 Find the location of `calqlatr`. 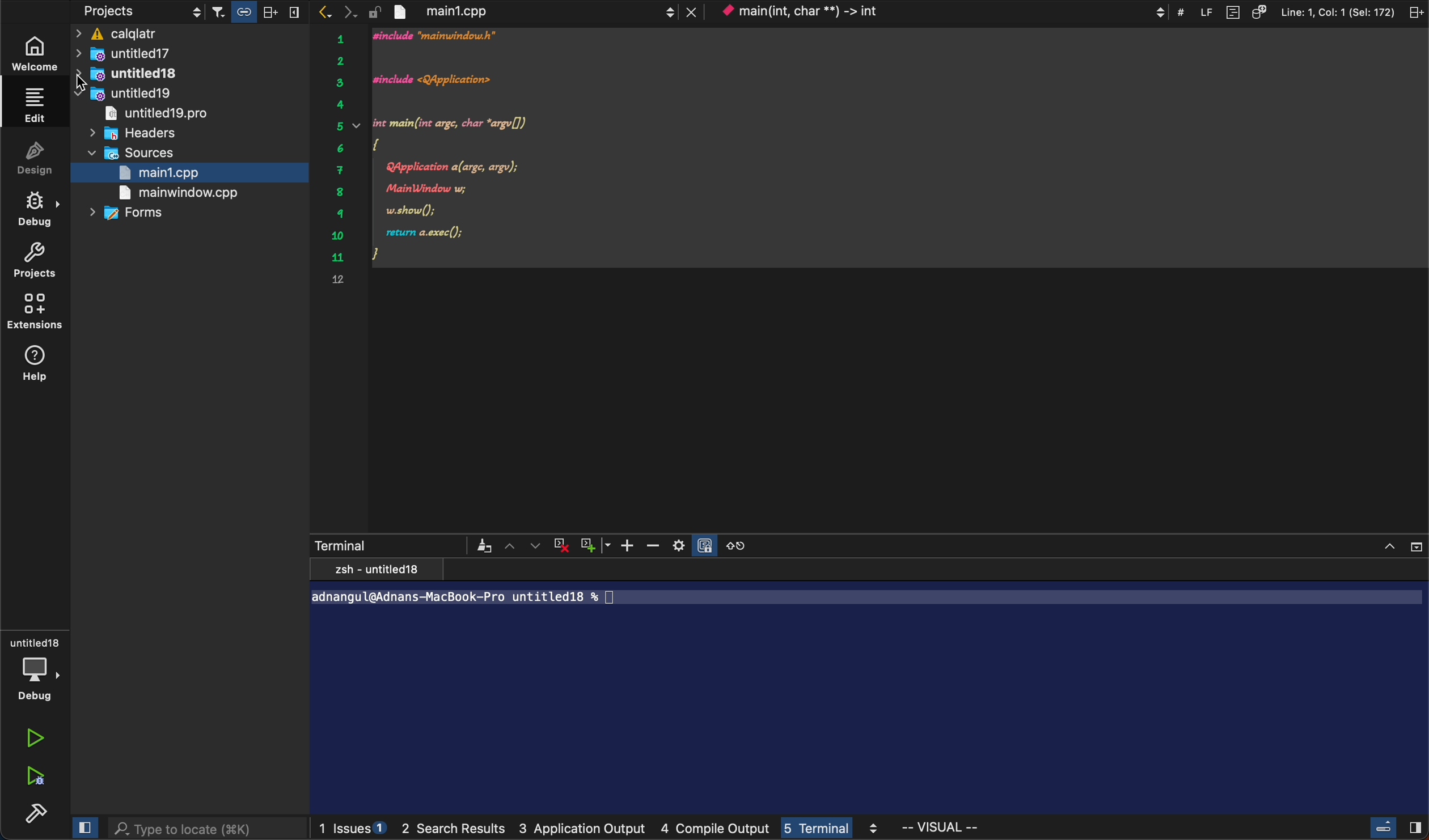

calqlatr is located at coordinates (189, 35).